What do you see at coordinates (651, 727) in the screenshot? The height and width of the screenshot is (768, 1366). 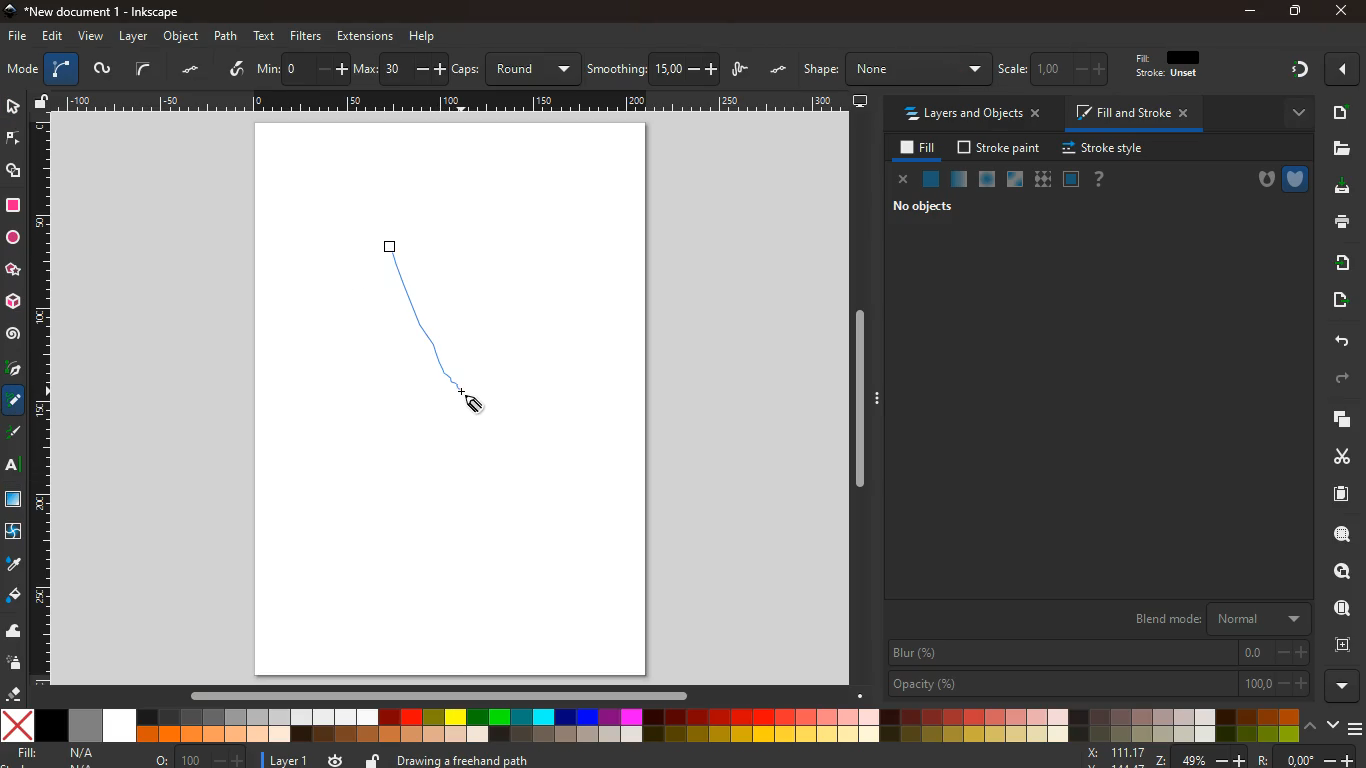 I see `color` at bounding box center [651, 727].